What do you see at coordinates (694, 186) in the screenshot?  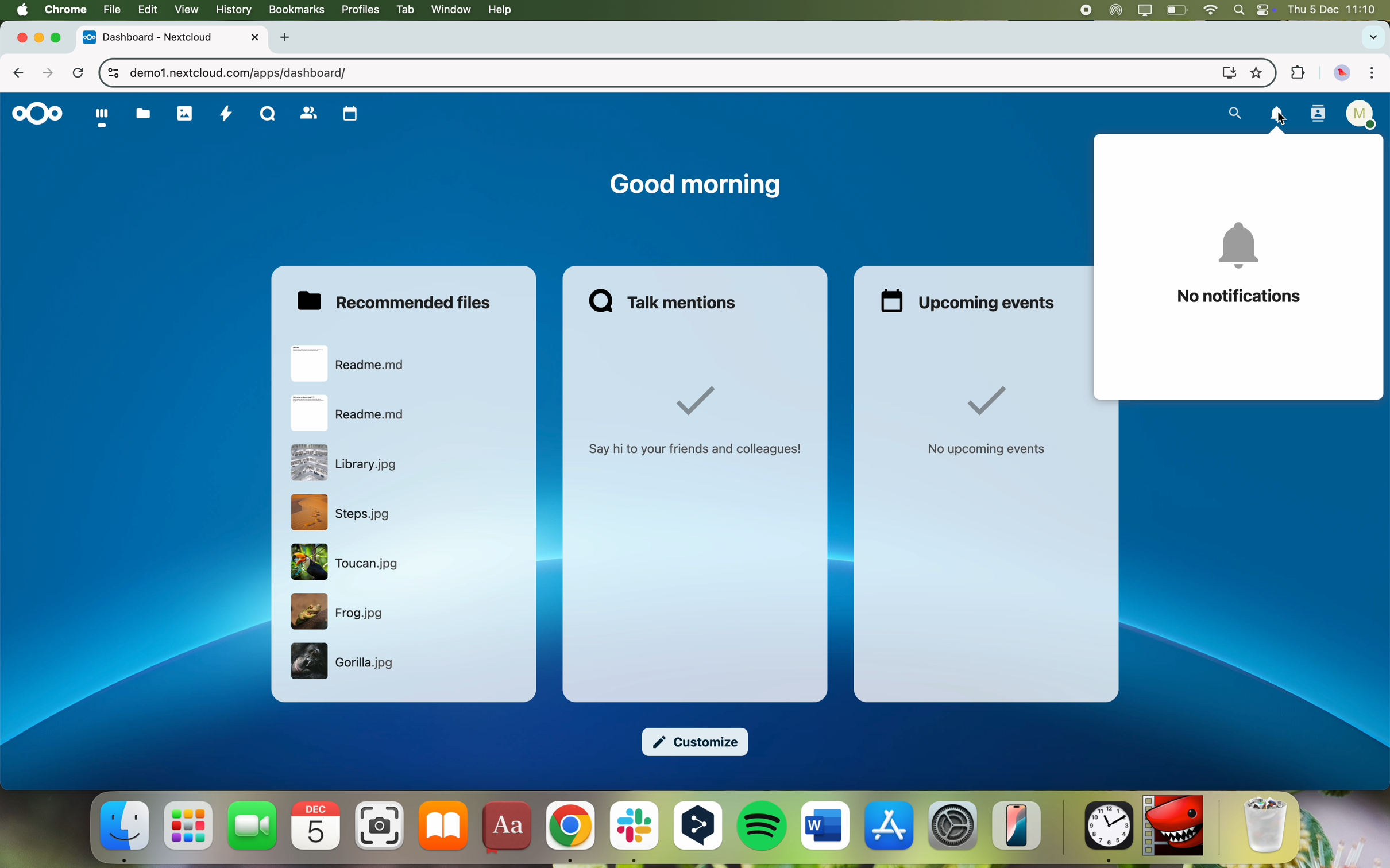 I see `good morning` at bounding box center [694, 186].